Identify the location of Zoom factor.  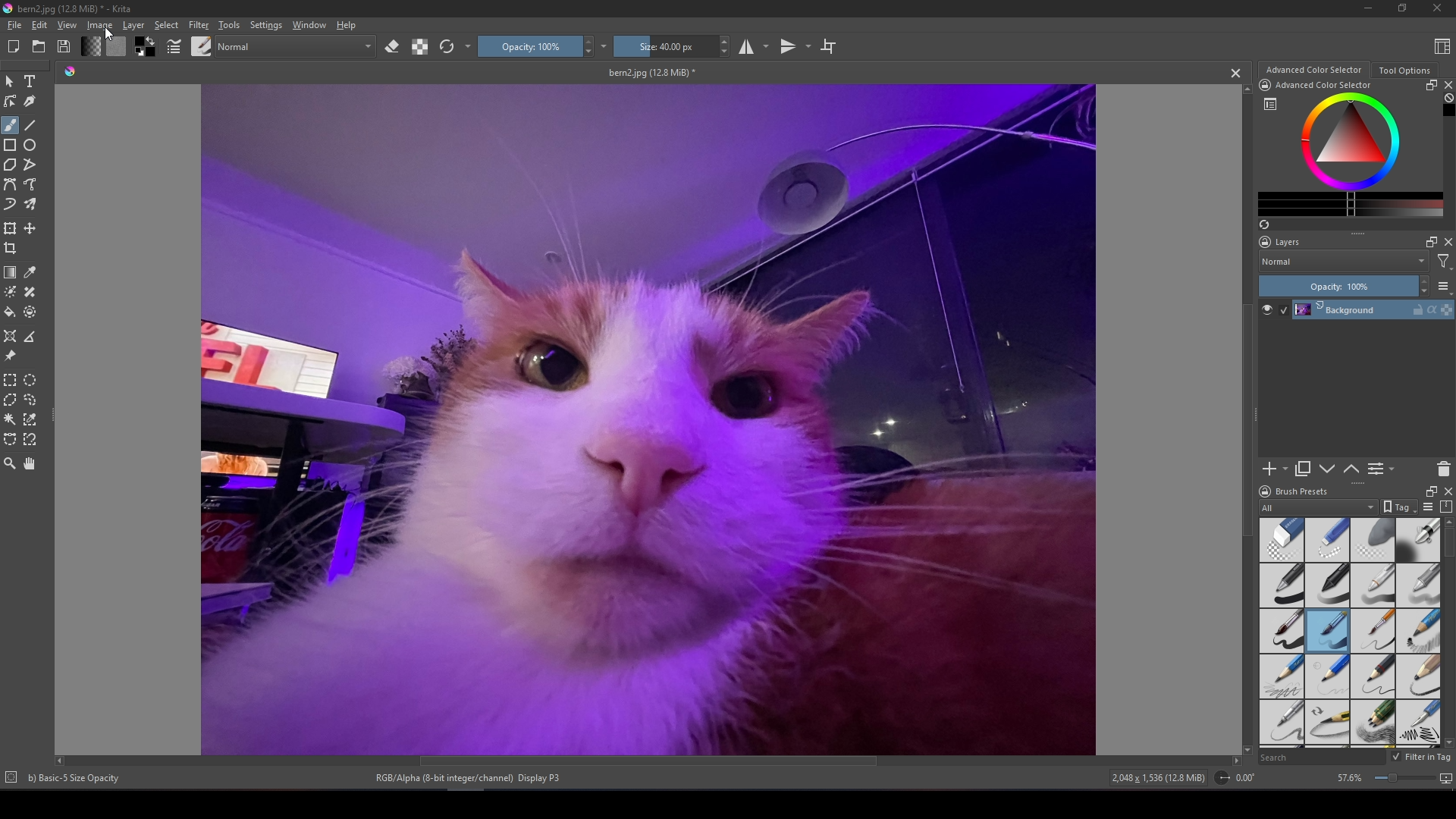
(1394, 778).